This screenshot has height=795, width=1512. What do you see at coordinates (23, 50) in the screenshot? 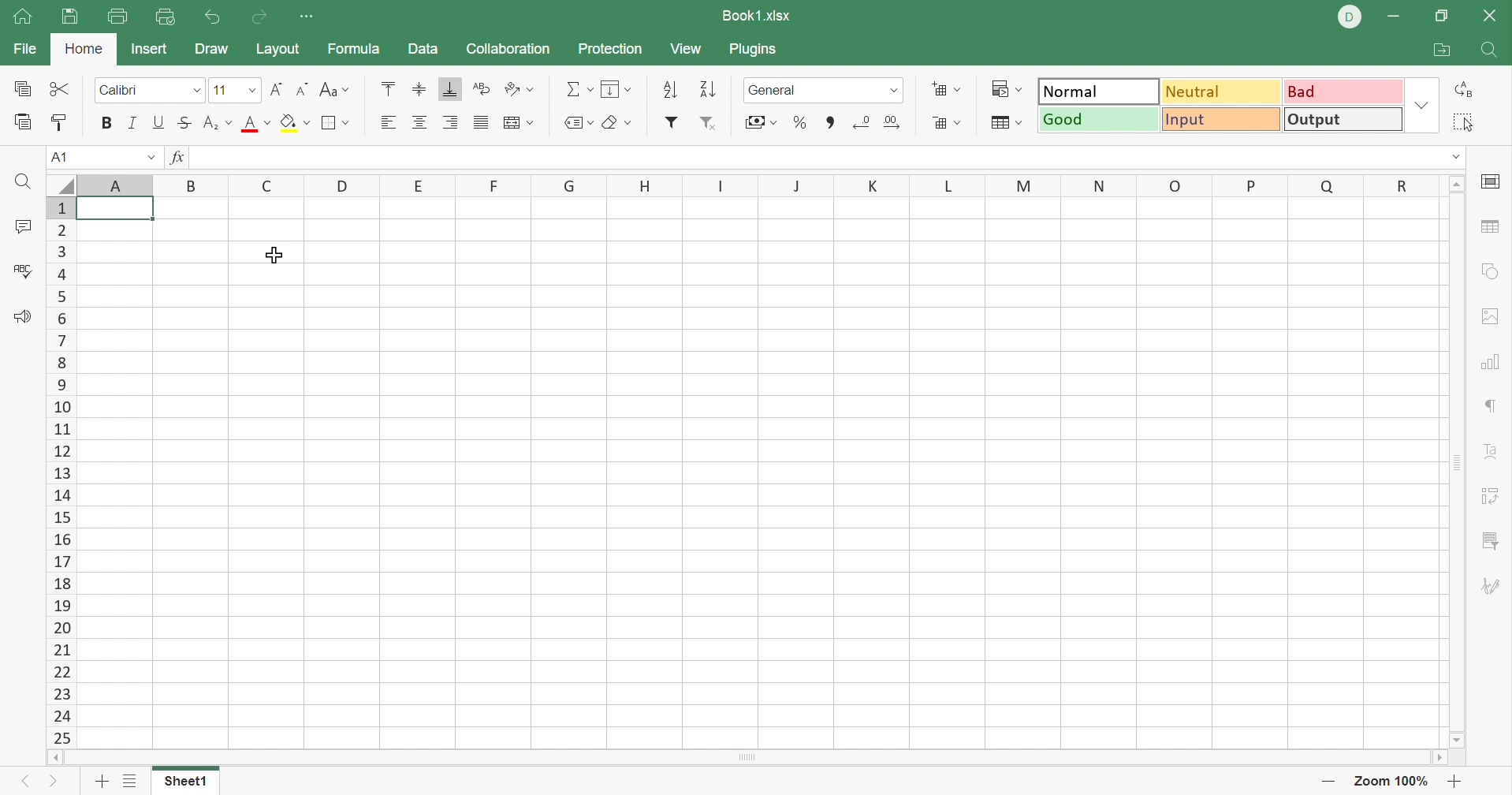
I see `File` at bounding box center [23, 50].